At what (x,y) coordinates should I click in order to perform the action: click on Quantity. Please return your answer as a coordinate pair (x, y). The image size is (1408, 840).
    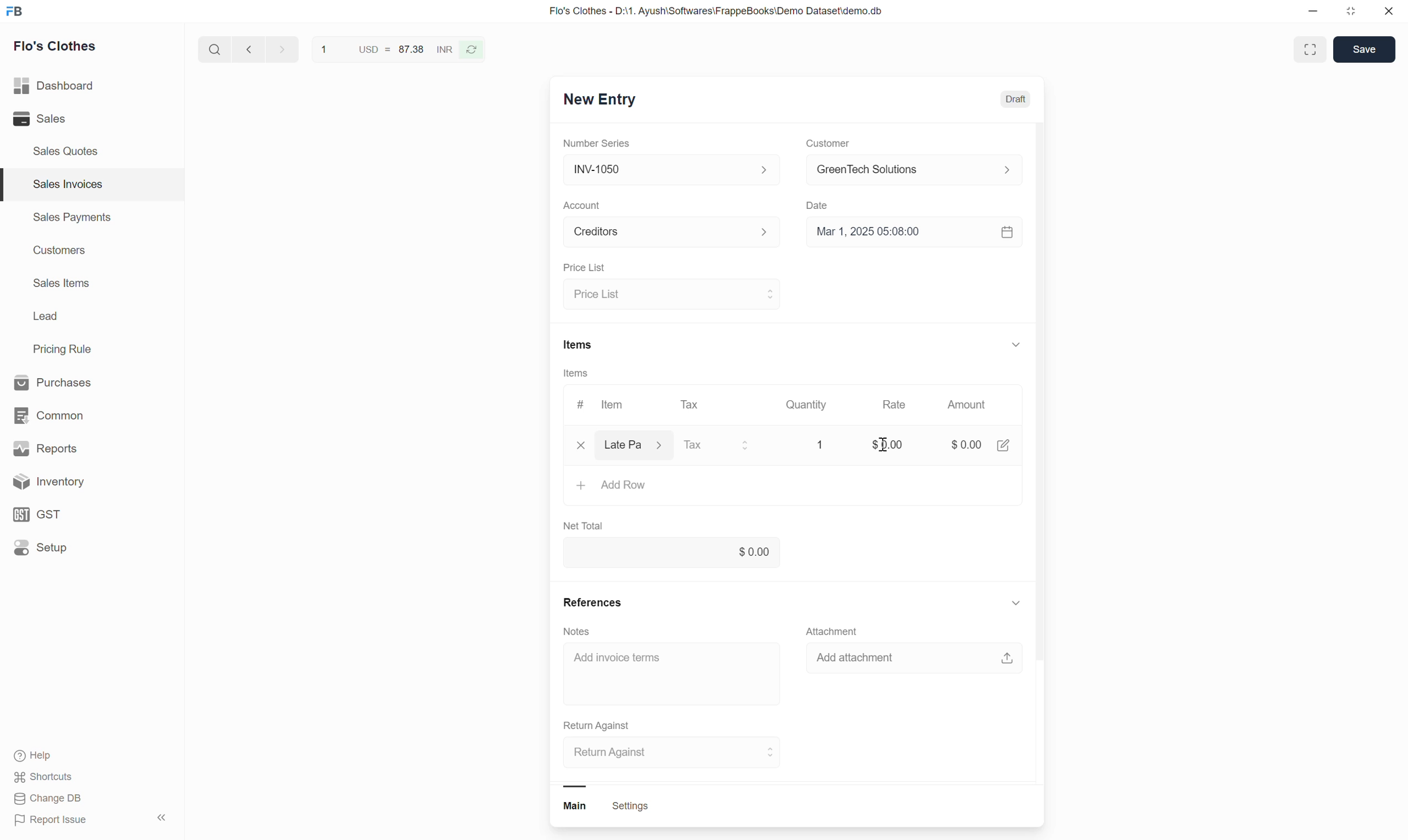
    Looking at the image, I should click on (810, 406).